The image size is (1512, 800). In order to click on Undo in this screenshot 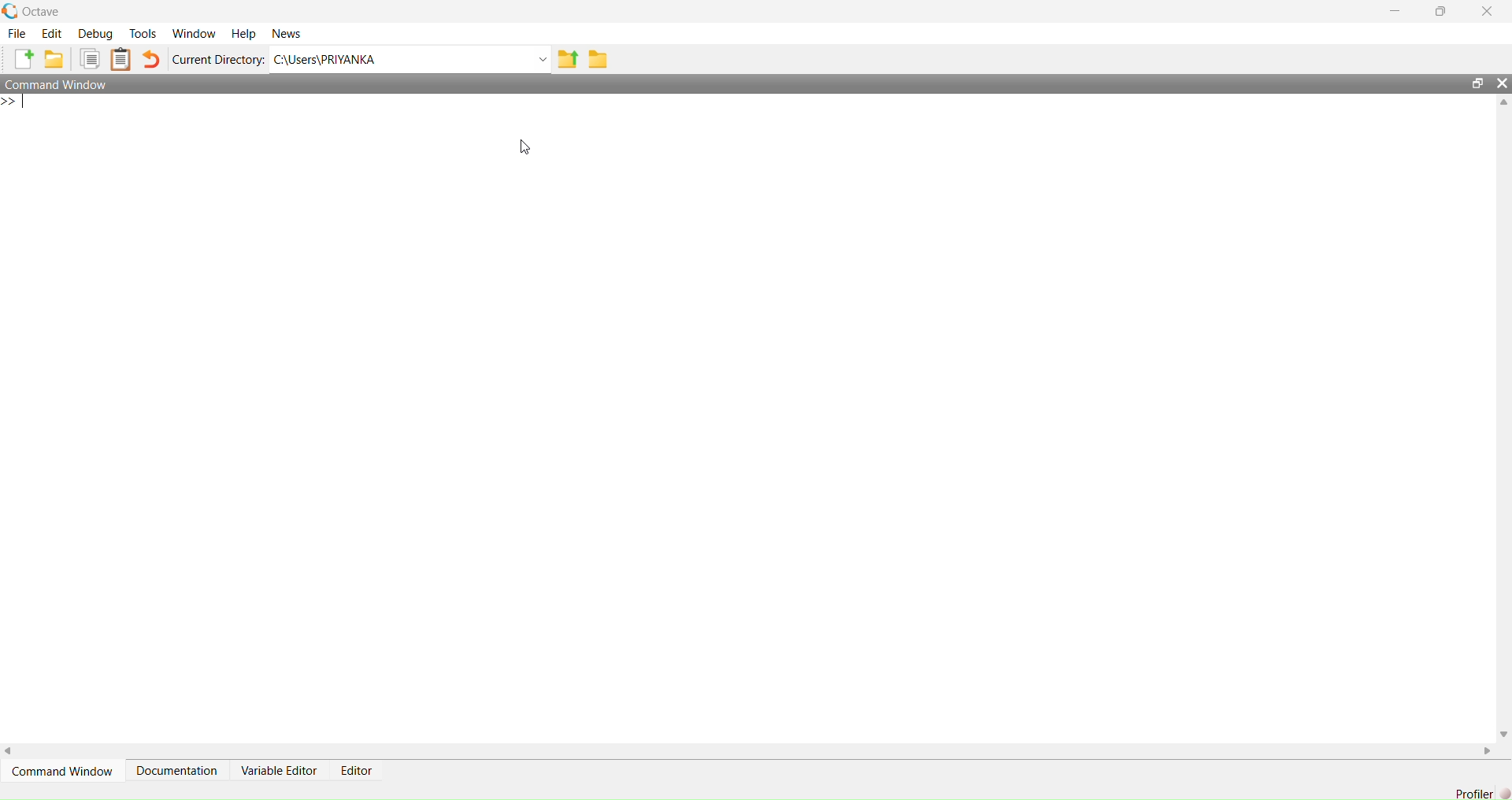, I will do `click(152, 58)`.